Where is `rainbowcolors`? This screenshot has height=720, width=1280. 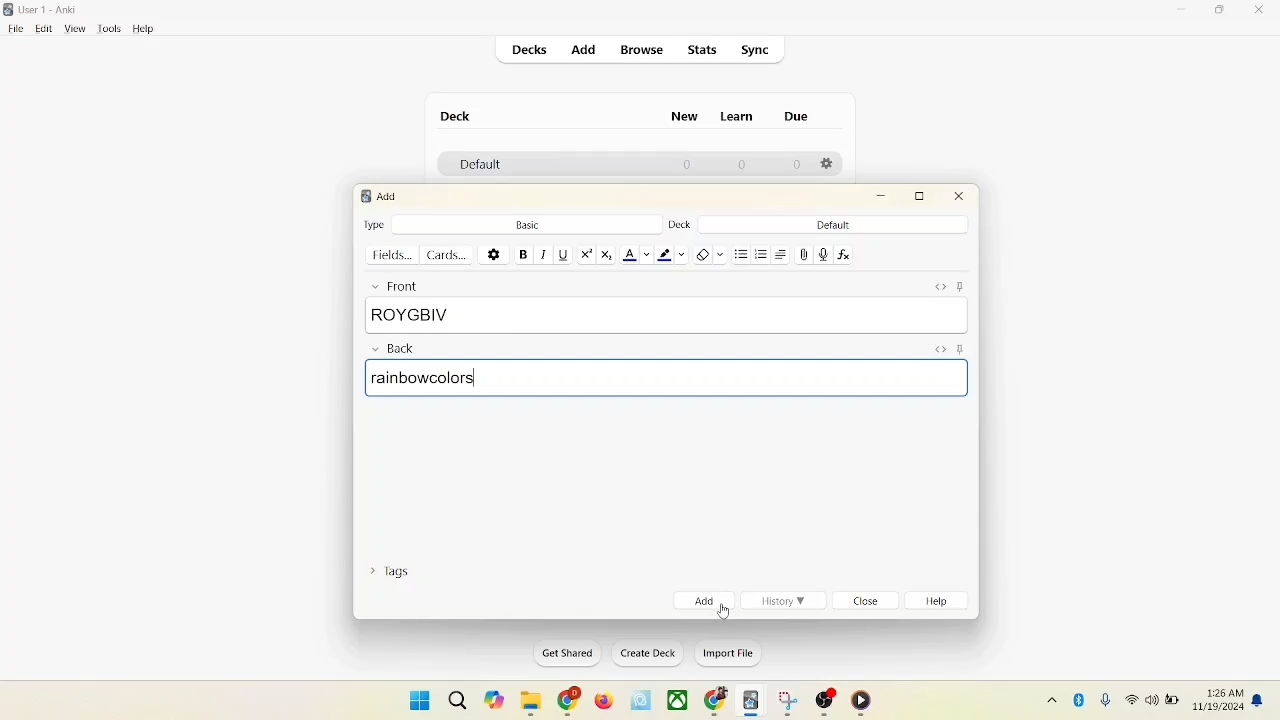 rainbowcolors is located at coordinates (668, 380).